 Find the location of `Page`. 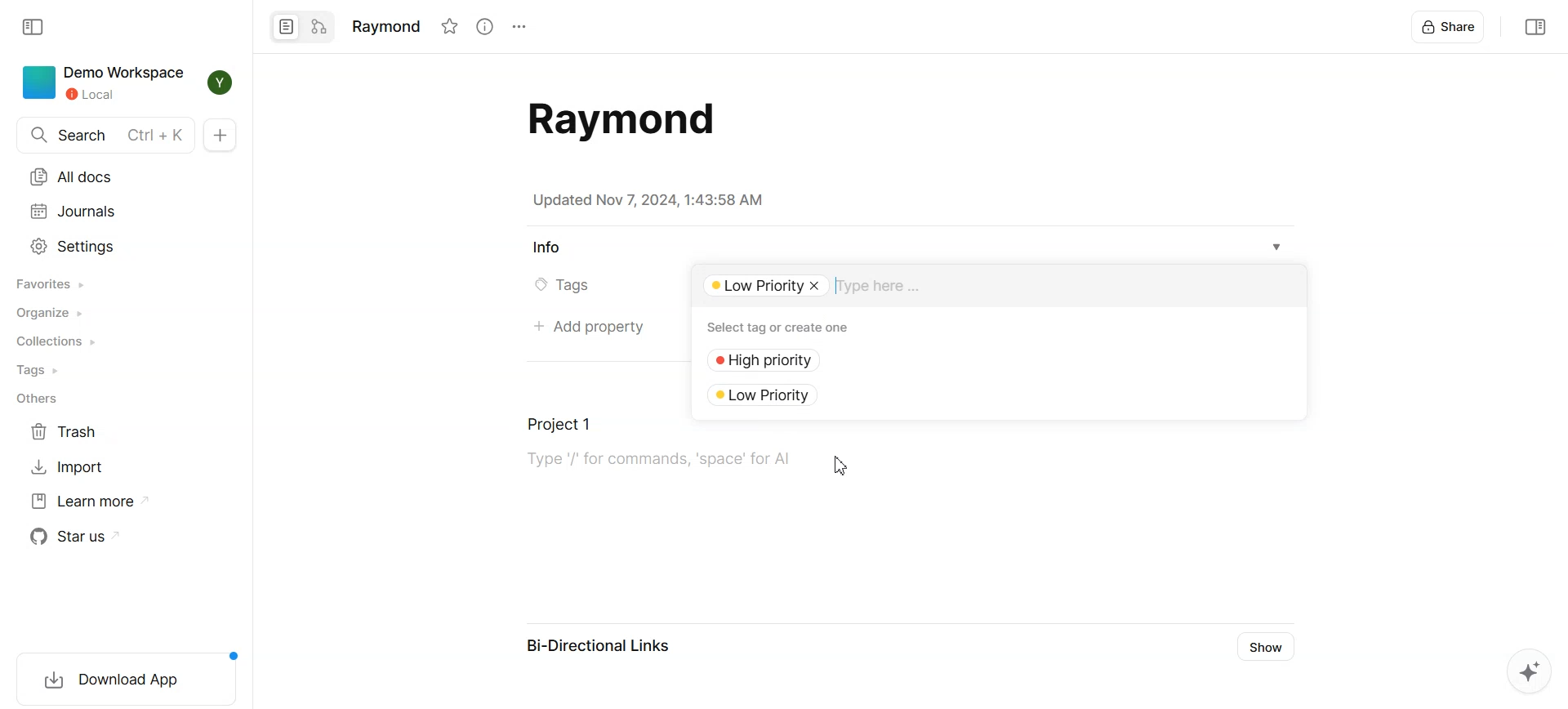

Page is located at coordinates (285, 27).